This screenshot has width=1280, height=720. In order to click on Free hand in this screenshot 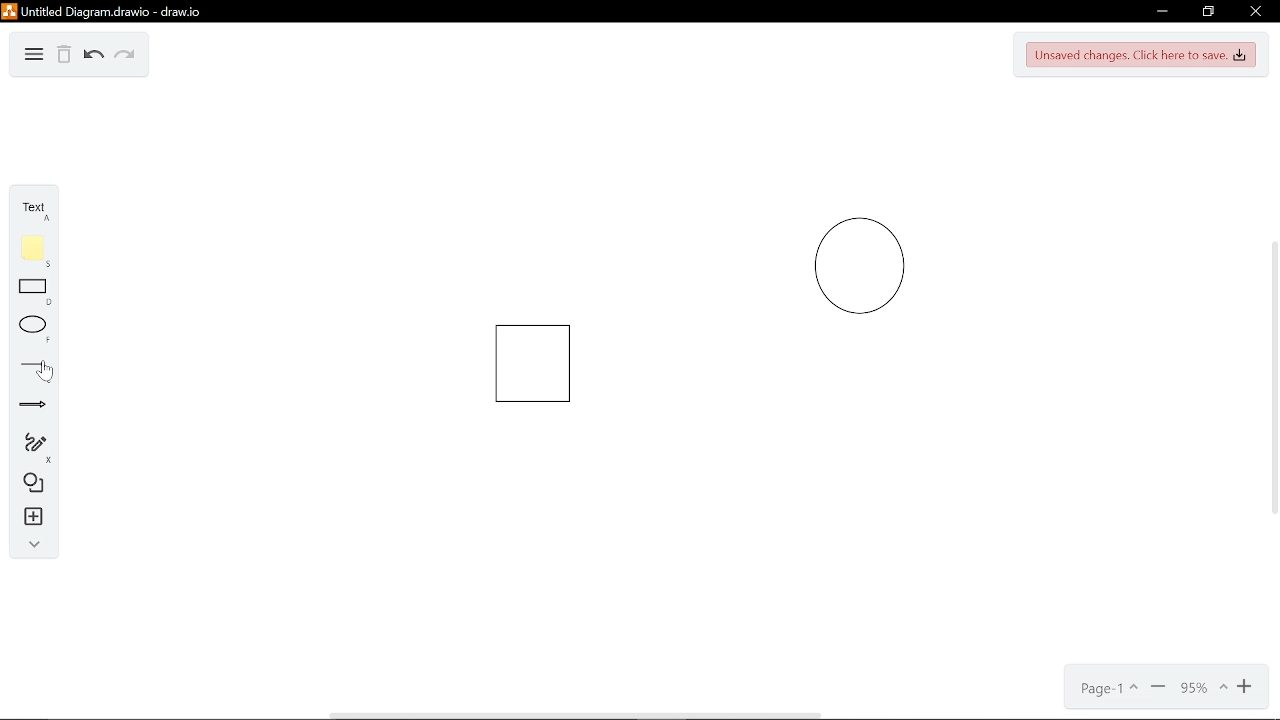, I will do `click(27, 446)`.